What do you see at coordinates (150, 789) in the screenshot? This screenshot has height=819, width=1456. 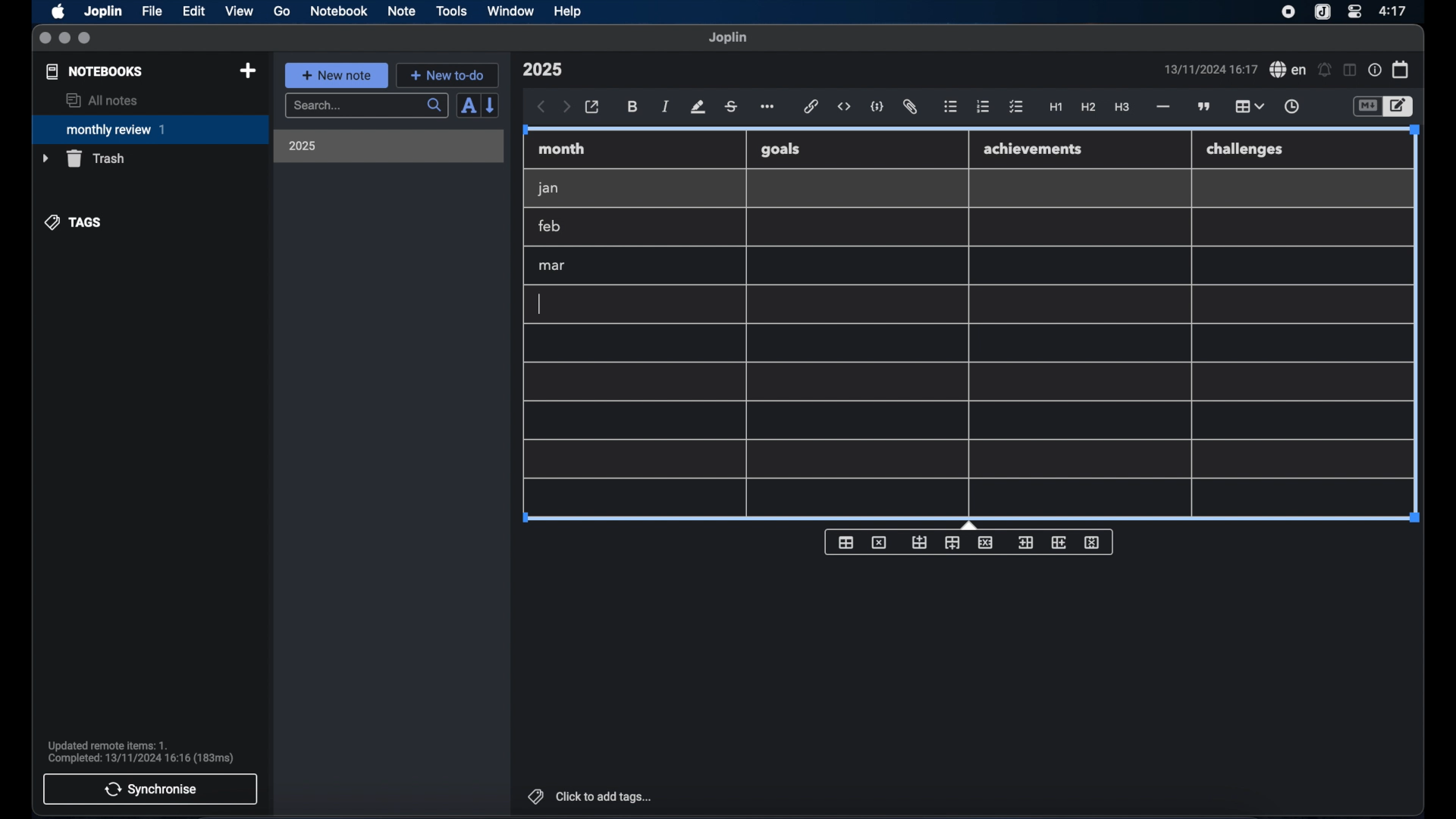 I see `synchronise` at bounding box center [150, 789].